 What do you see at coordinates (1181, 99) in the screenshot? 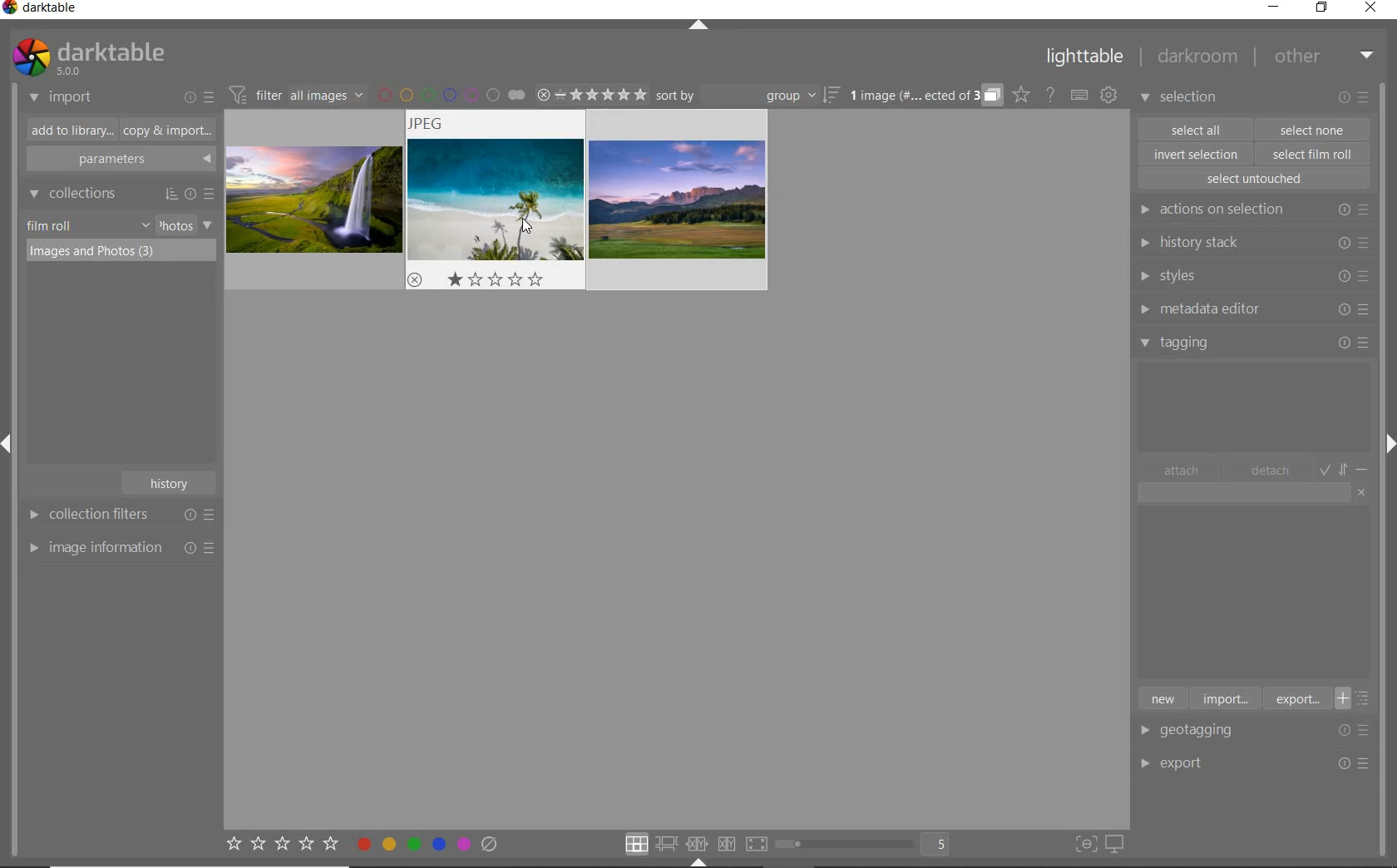
I see `selection` at bounding box center [1181, 99].